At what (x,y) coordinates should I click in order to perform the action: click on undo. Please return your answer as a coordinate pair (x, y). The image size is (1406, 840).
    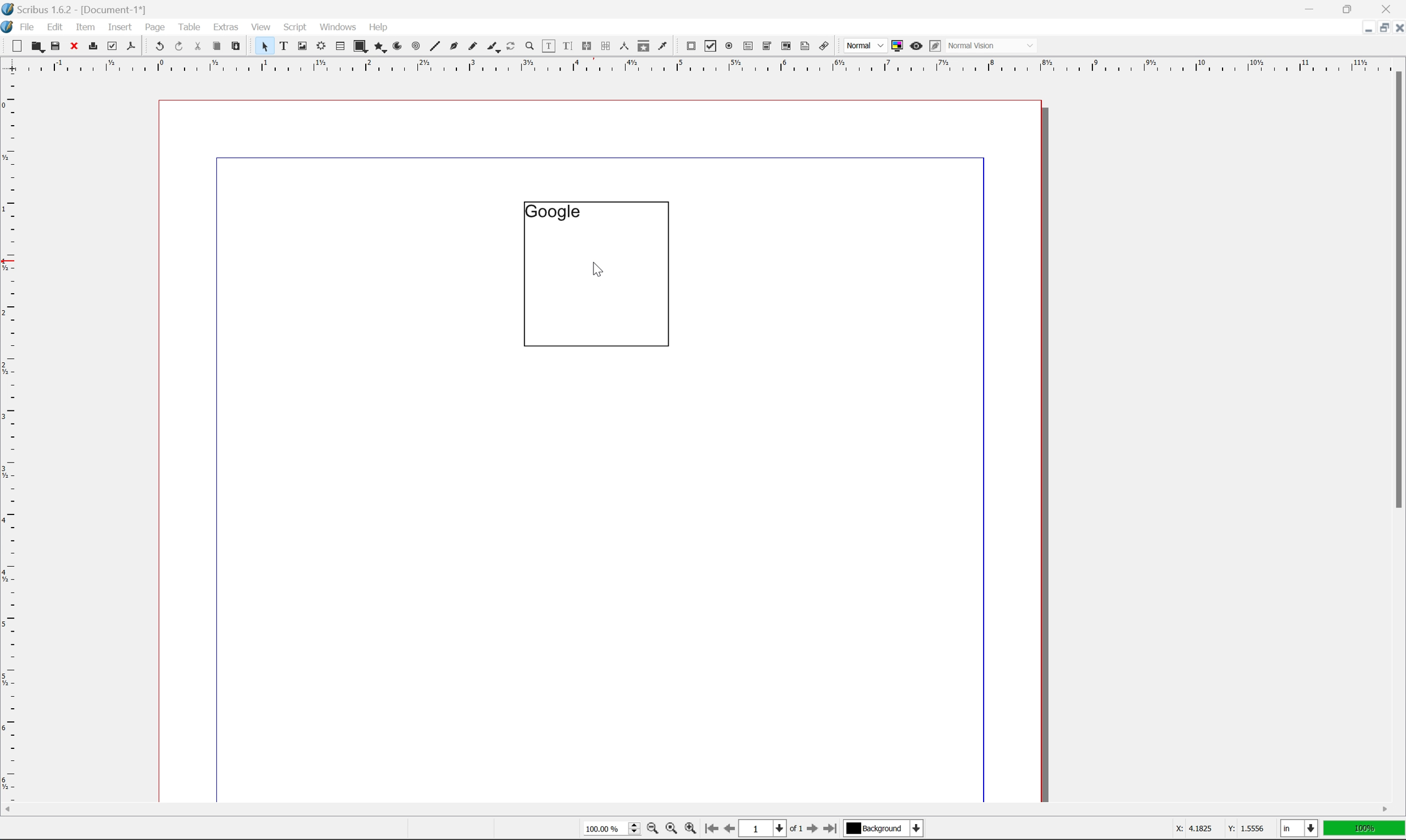
    Looking at the image, I should click on (159, 47).